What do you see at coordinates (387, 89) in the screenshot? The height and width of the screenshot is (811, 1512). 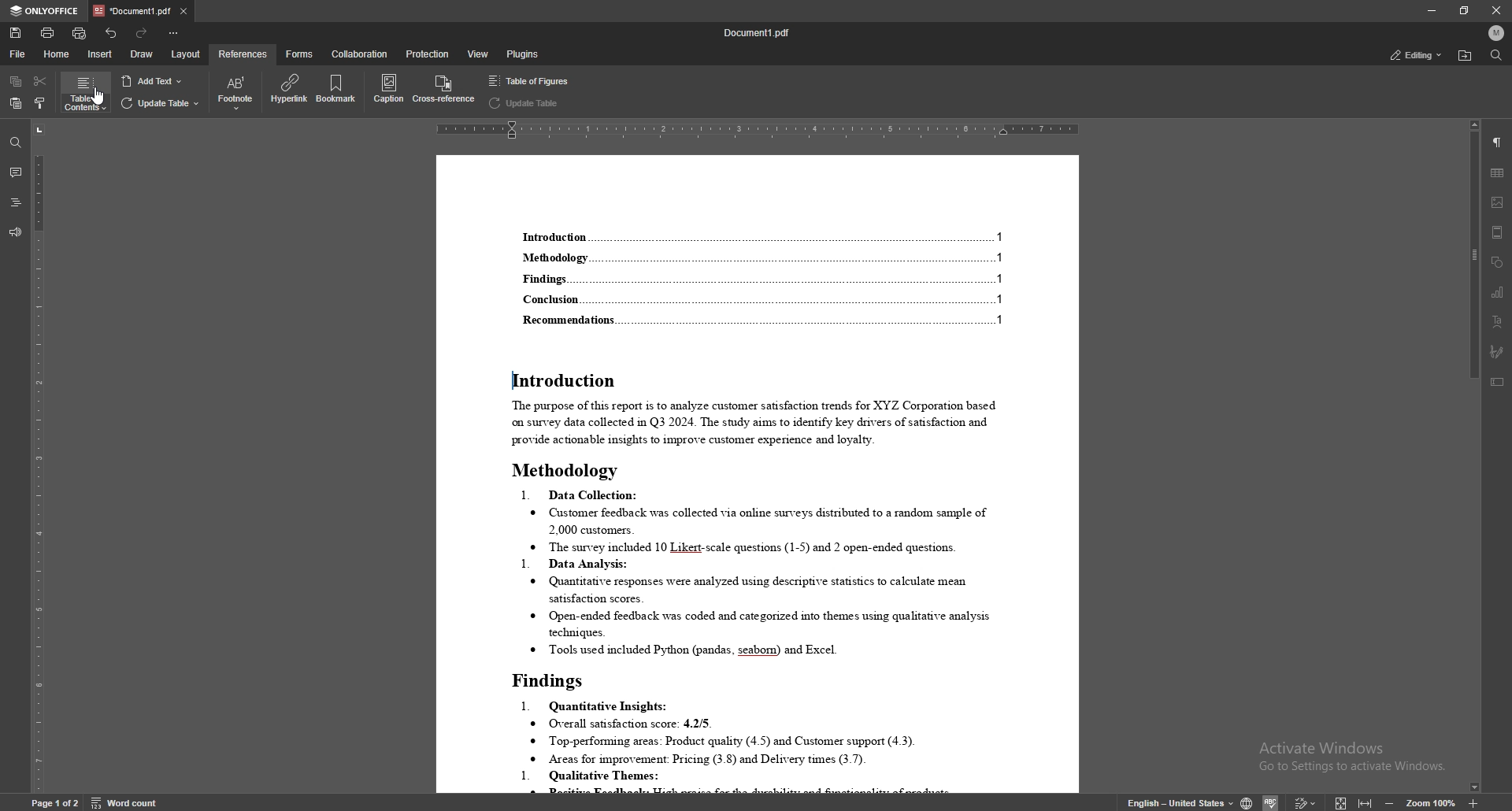 I see `caption` at bounding box center [387, 89].